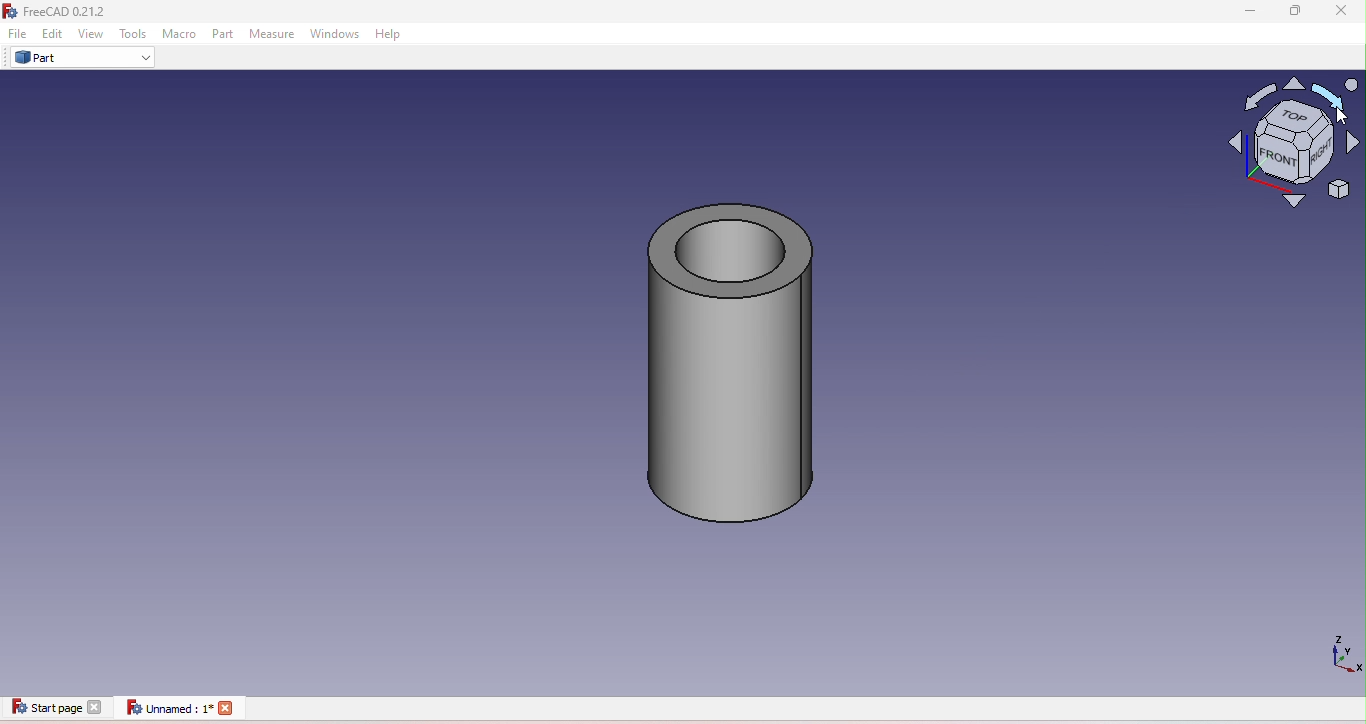 The image size is (1366, 724). What do you see at coordinates (392, 34) in the screenshot?
I see `Help` at bounding box center [392, 34].